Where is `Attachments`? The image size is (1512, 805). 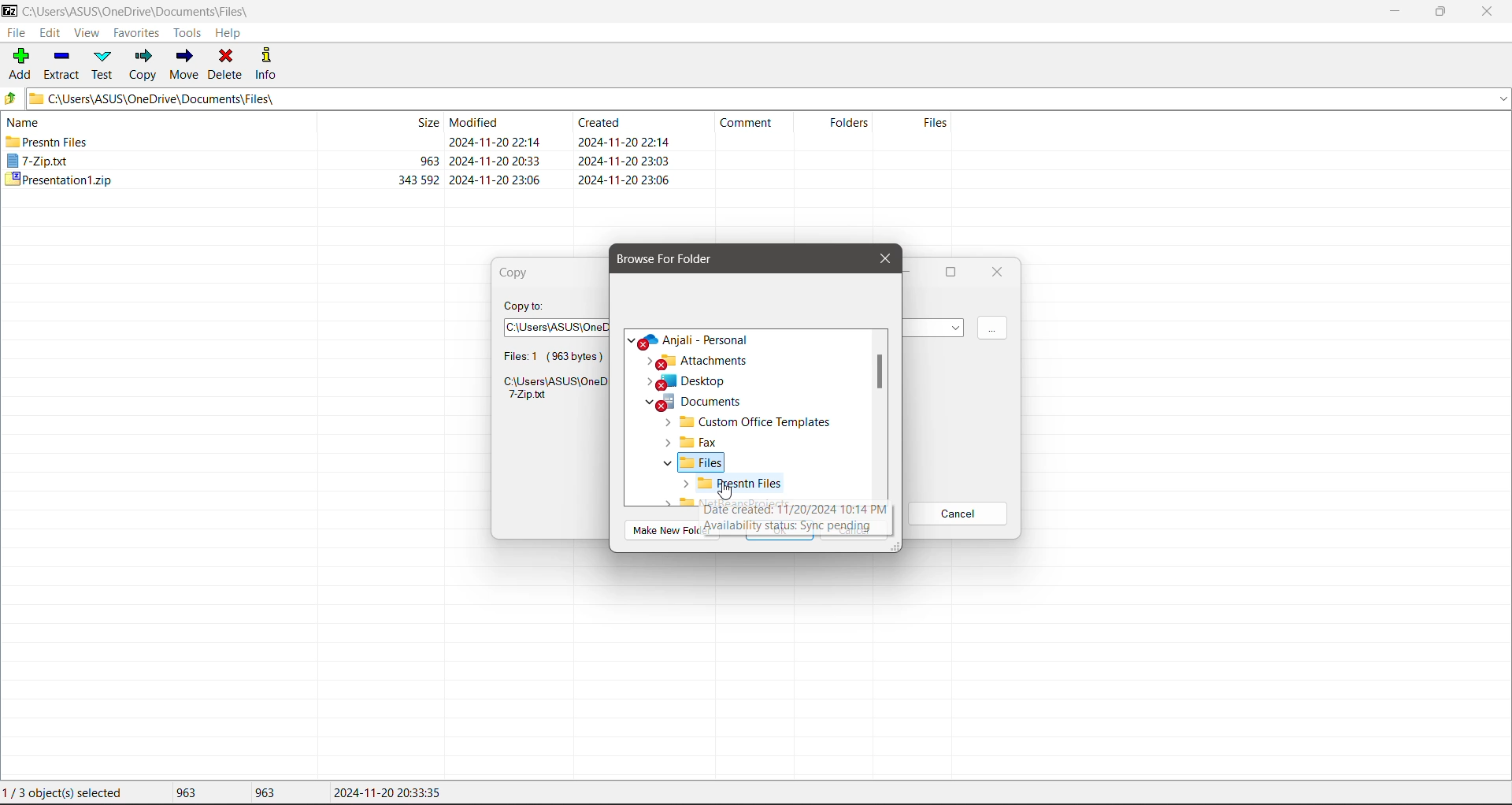
Attachments is located at coordinates (700, 361).